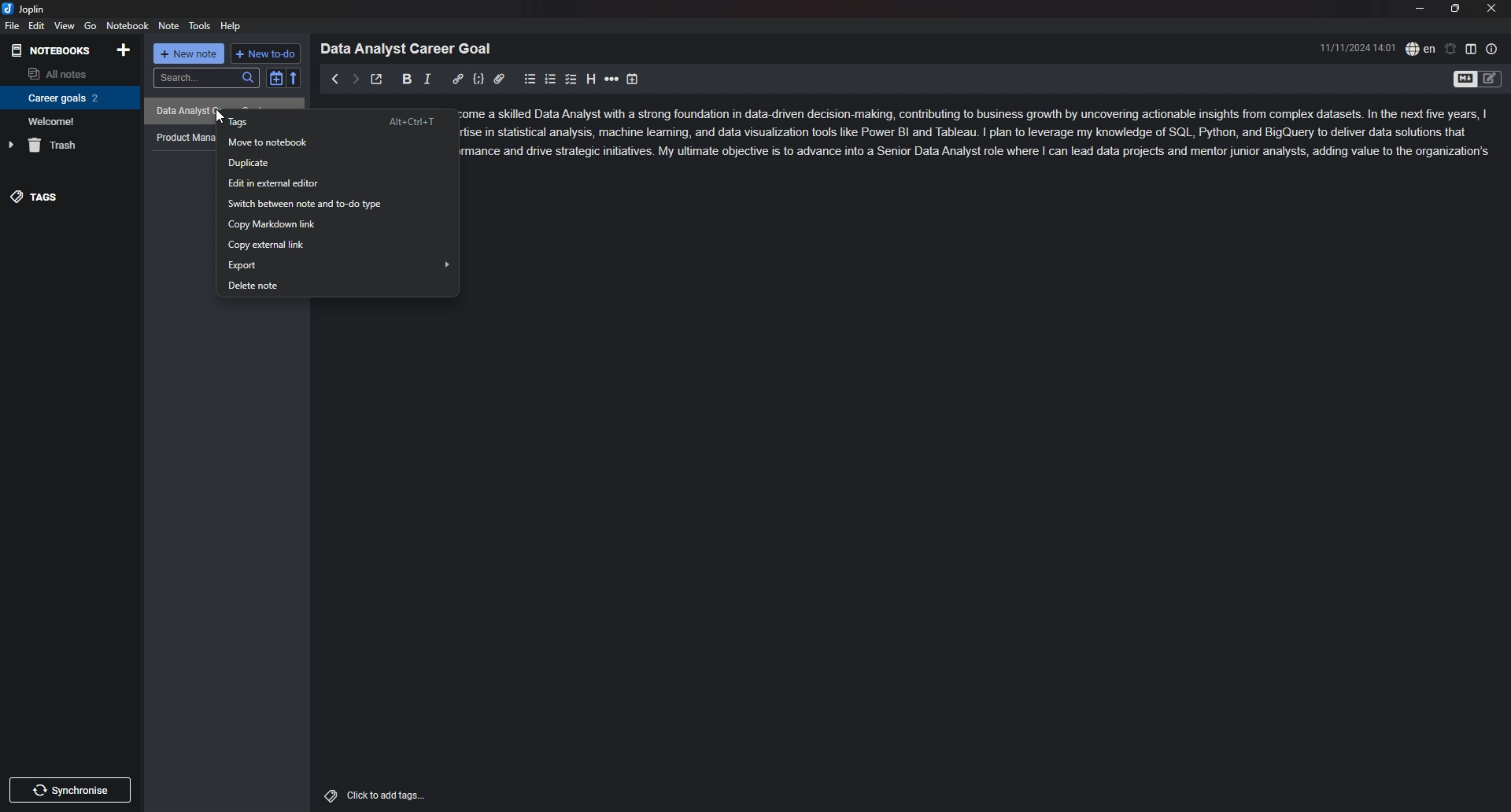  I want to click on toggle editor layout, so click(1471, 48).